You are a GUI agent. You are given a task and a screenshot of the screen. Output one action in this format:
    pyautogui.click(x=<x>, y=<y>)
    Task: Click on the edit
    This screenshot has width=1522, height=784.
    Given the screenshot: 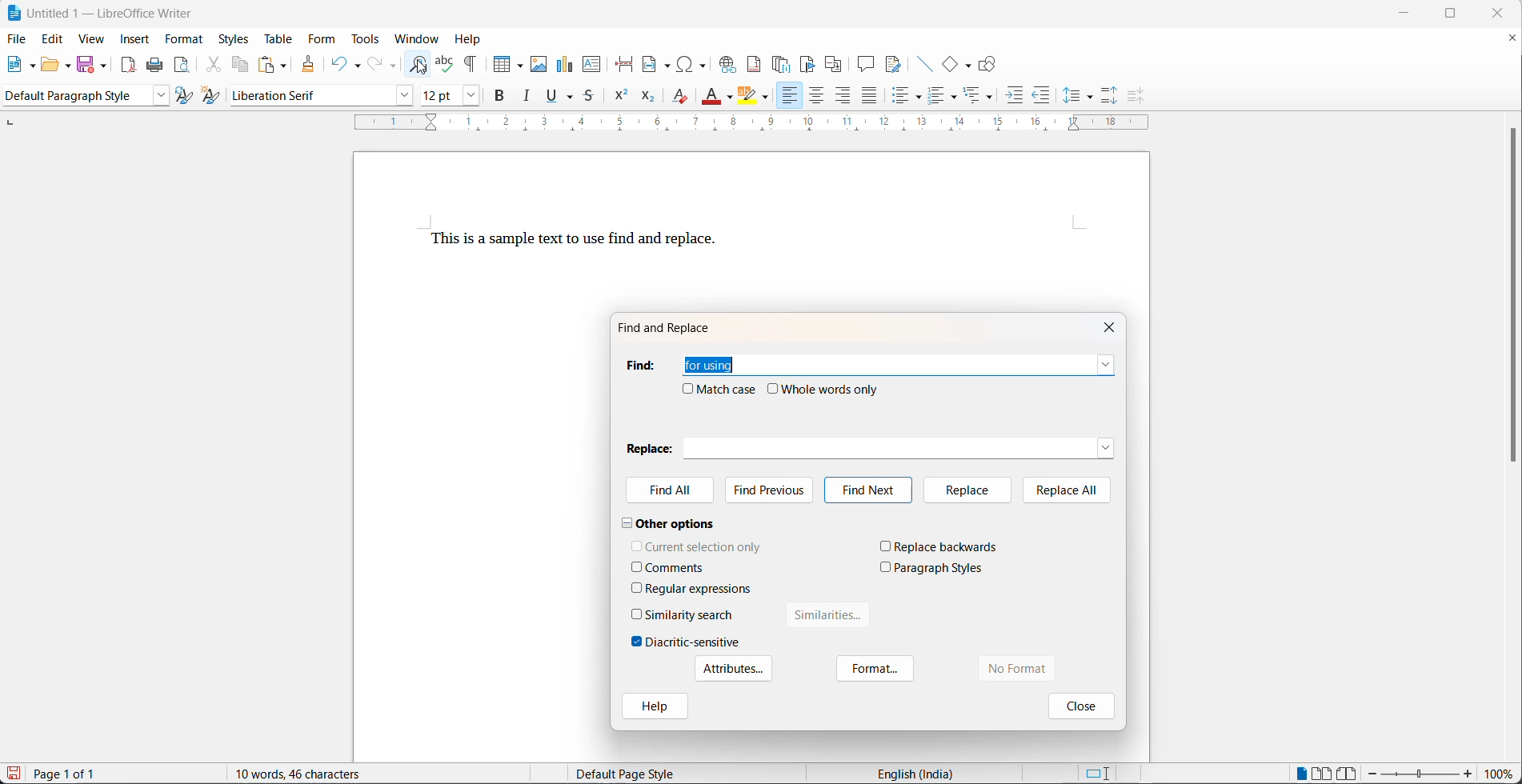 What is the action you would take?
    pyautogui.click(x=54, y=40)
    